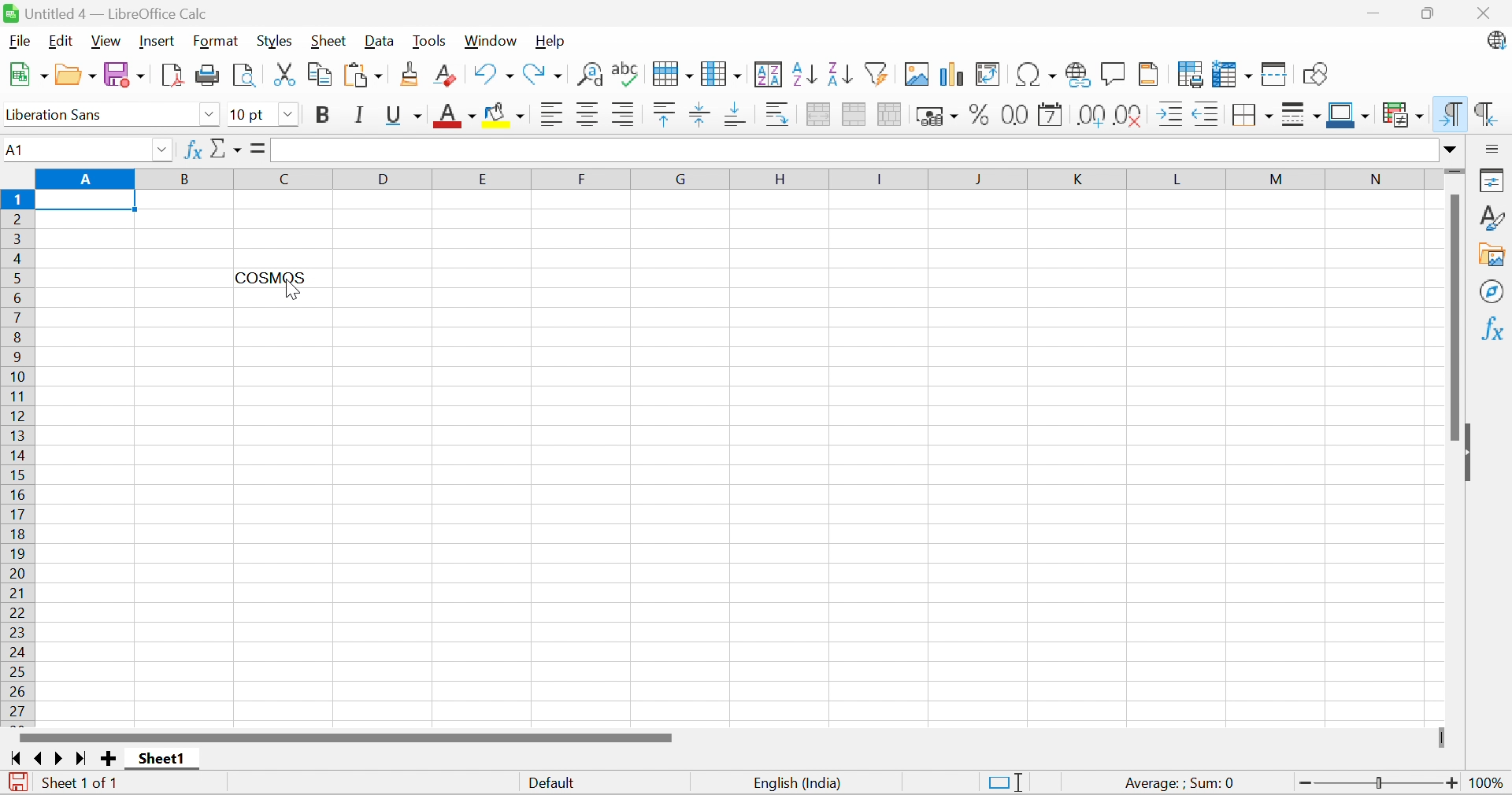  What do you see at coordinates (82, 784) in the screenshot?
I see `Sheet 1 of 1` at bounding box center [82, 784].